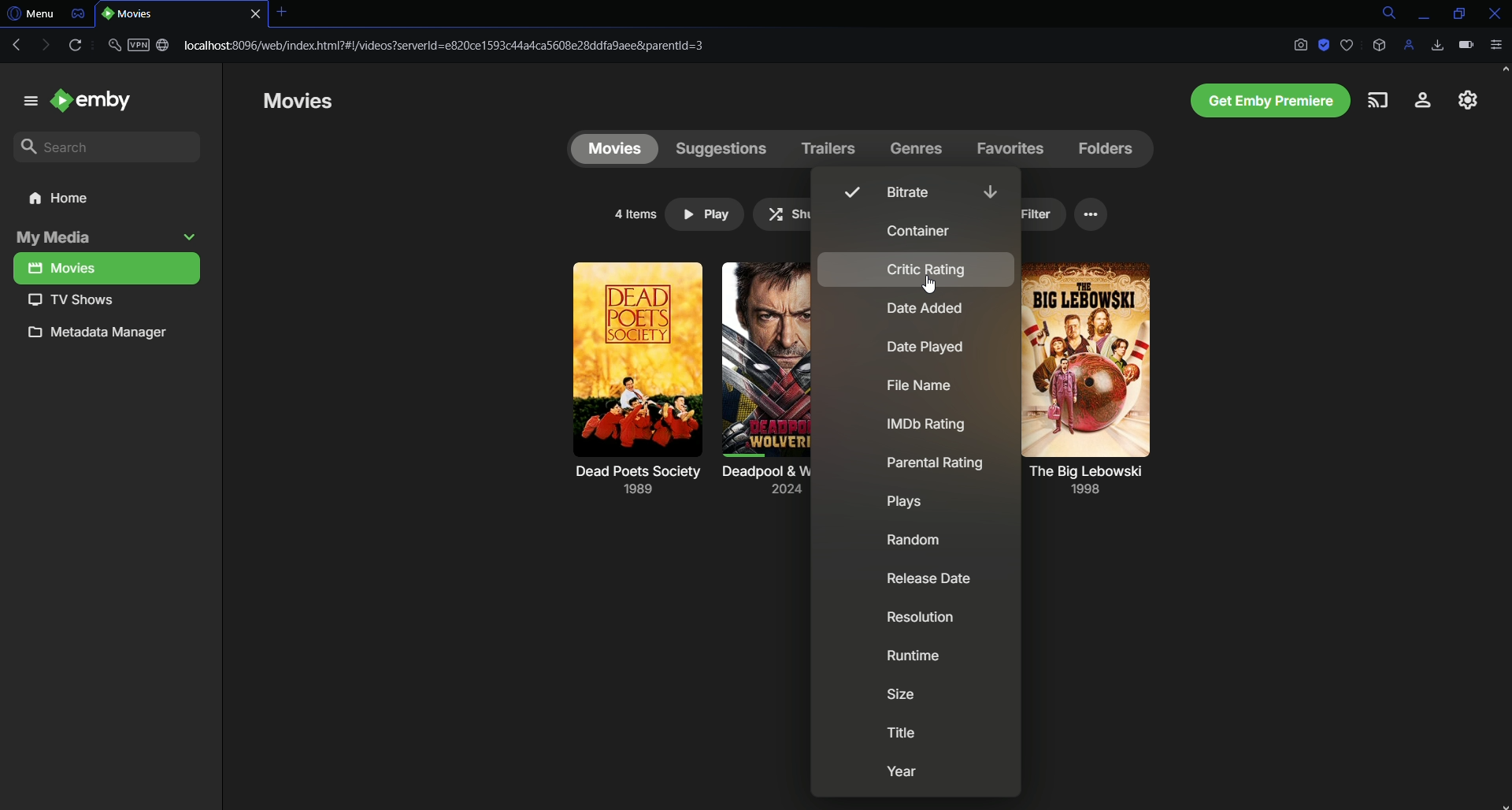  Describe the element at coordinates (915, 232) in the screenshot. I see `Container` at that location.